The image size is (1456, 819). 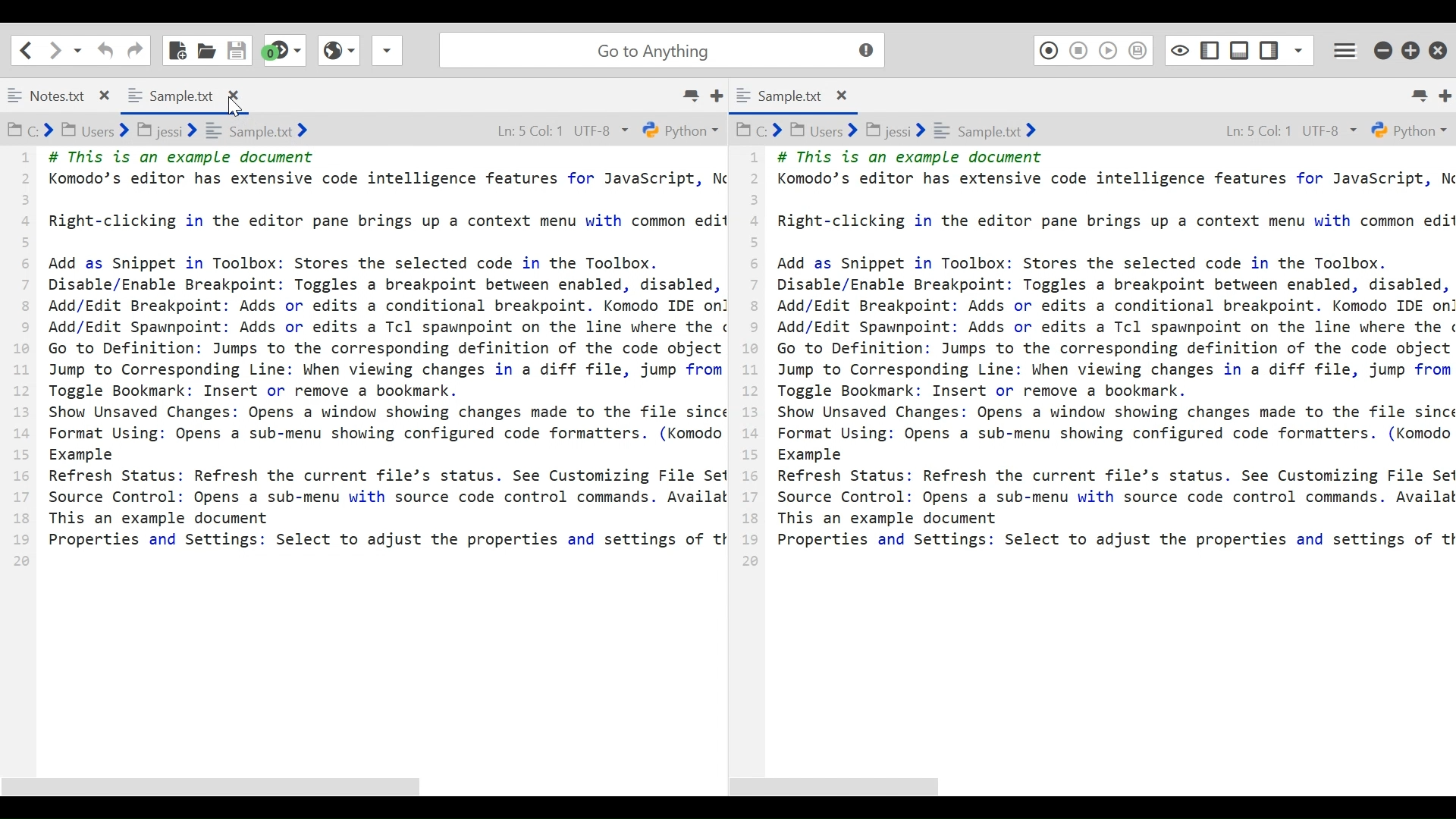 I want to click on Save Macro to Toolbox as Superscript, so click(x=1139, y=50).